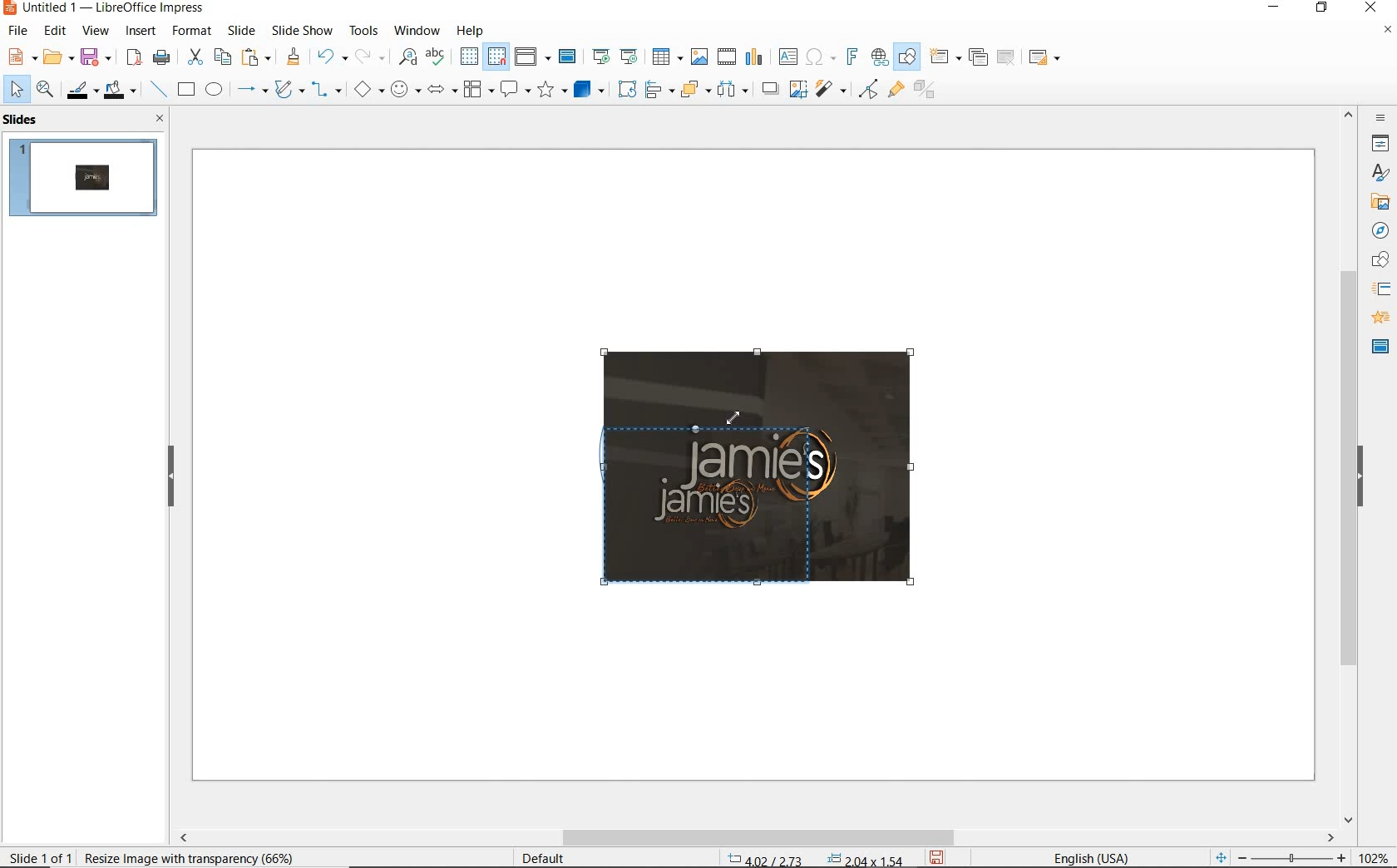 The width and height of the screenshot is (1397, 868). I want to click on new slide, so click(945, 57).